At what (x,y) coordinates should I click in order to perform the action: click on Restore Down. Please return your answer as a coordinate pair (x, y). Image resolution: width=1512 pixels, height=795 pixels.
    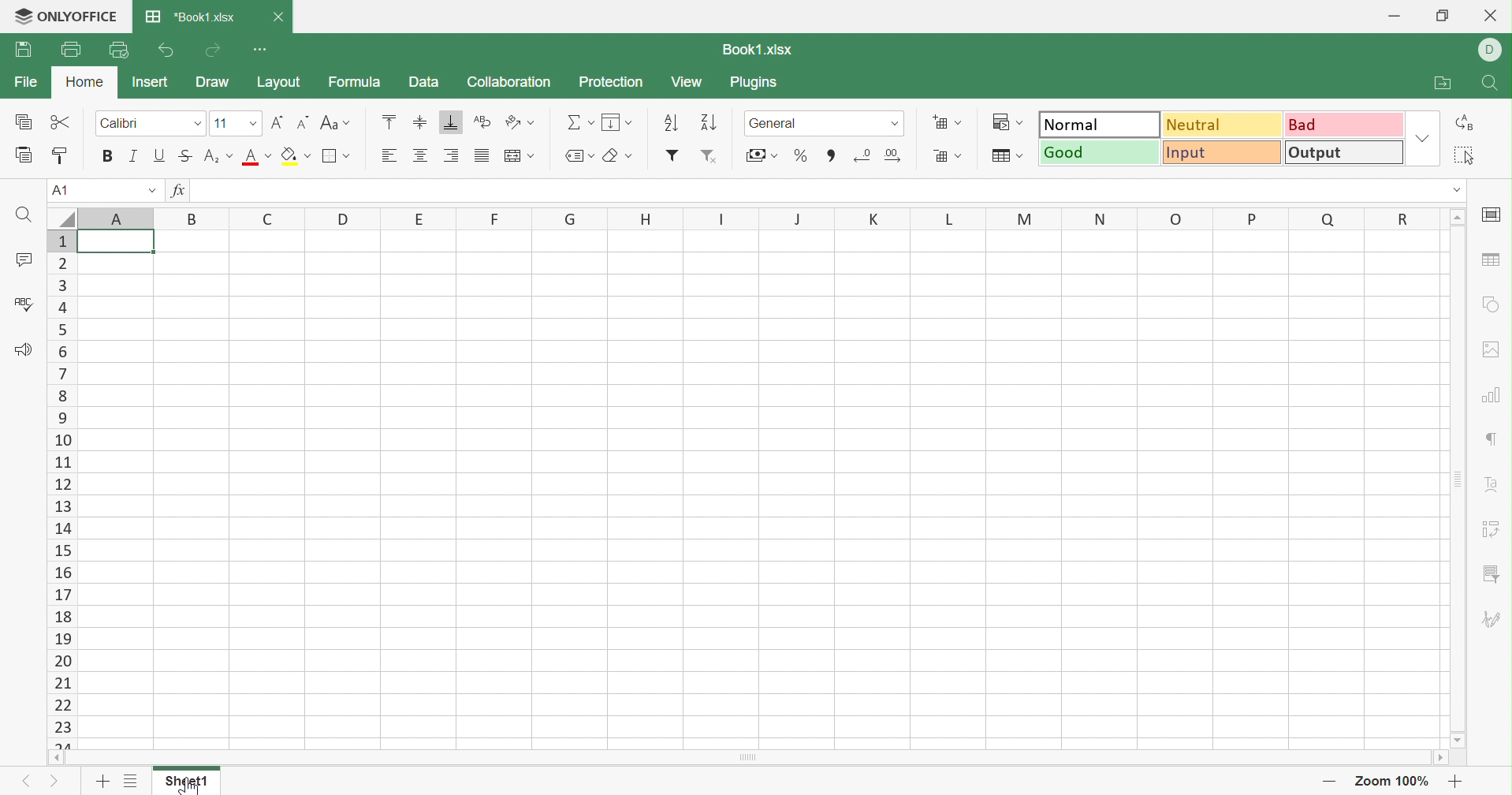
    Looking at the image, I should click on (1439, 15).